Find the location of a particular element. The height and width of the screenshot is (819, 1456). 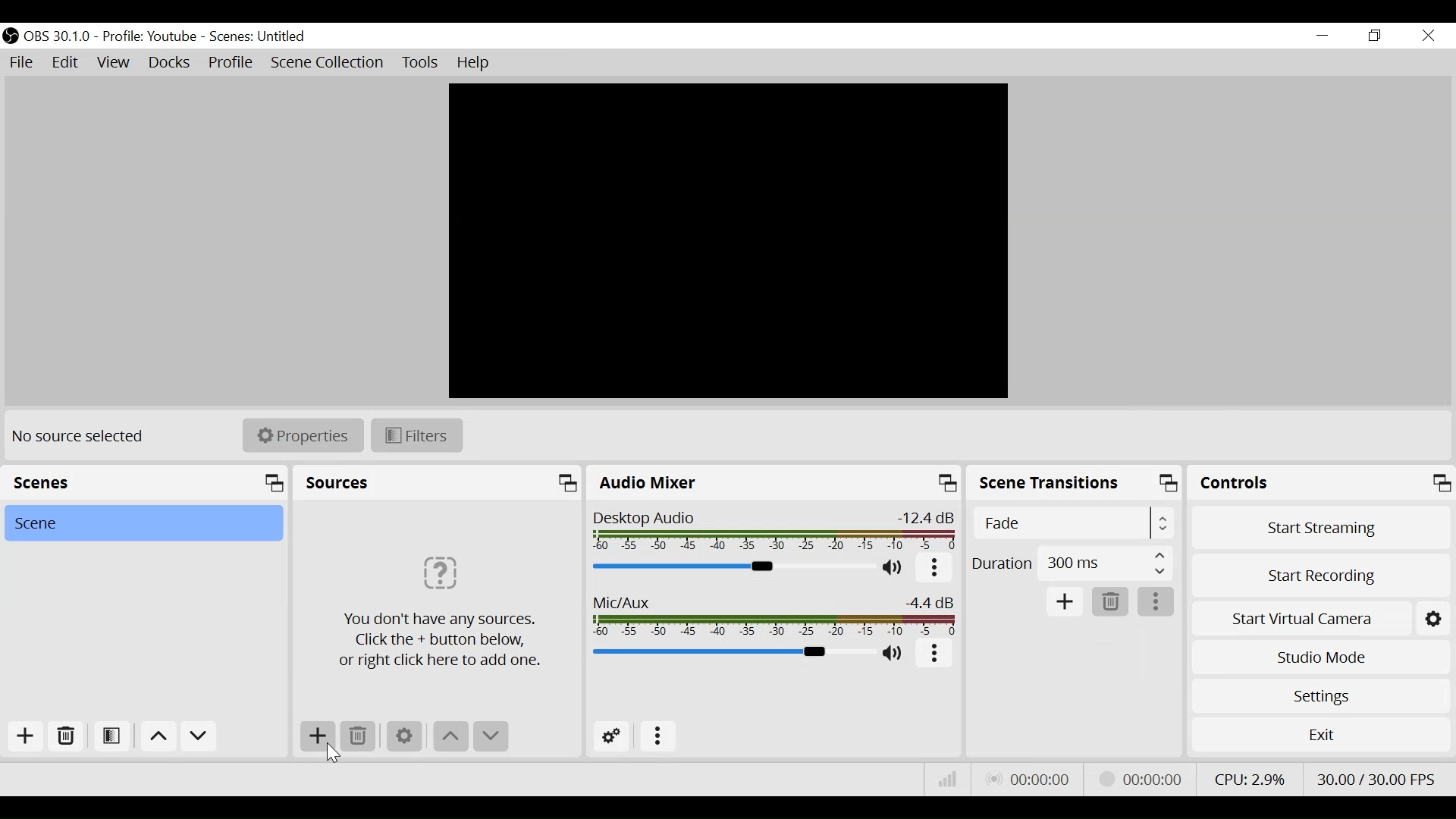

Settings is located at coordinates (1322, 696).